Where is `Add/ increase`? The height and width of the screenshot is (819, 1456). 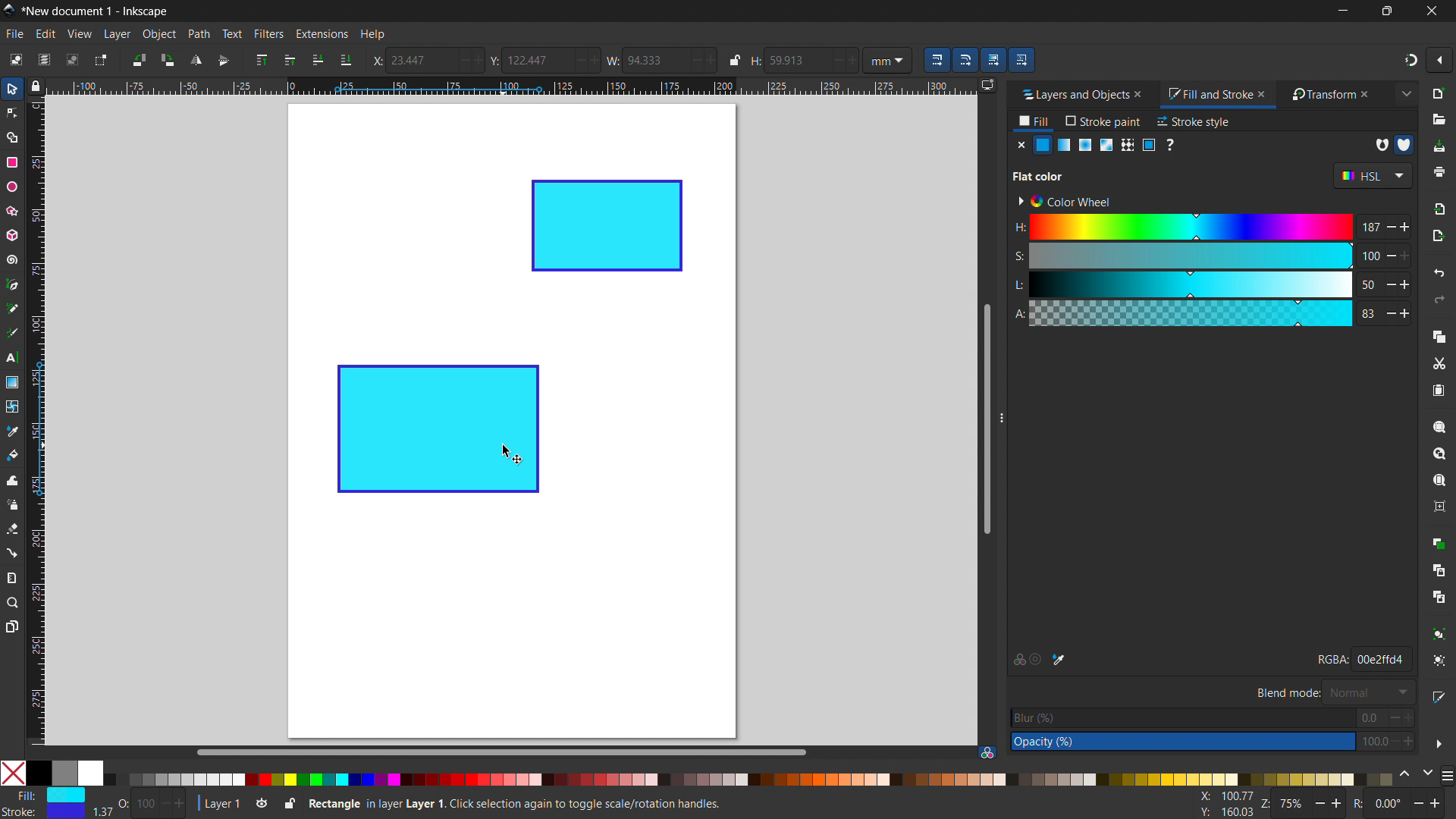 Add/ increase is located at coordinates (597, 60).